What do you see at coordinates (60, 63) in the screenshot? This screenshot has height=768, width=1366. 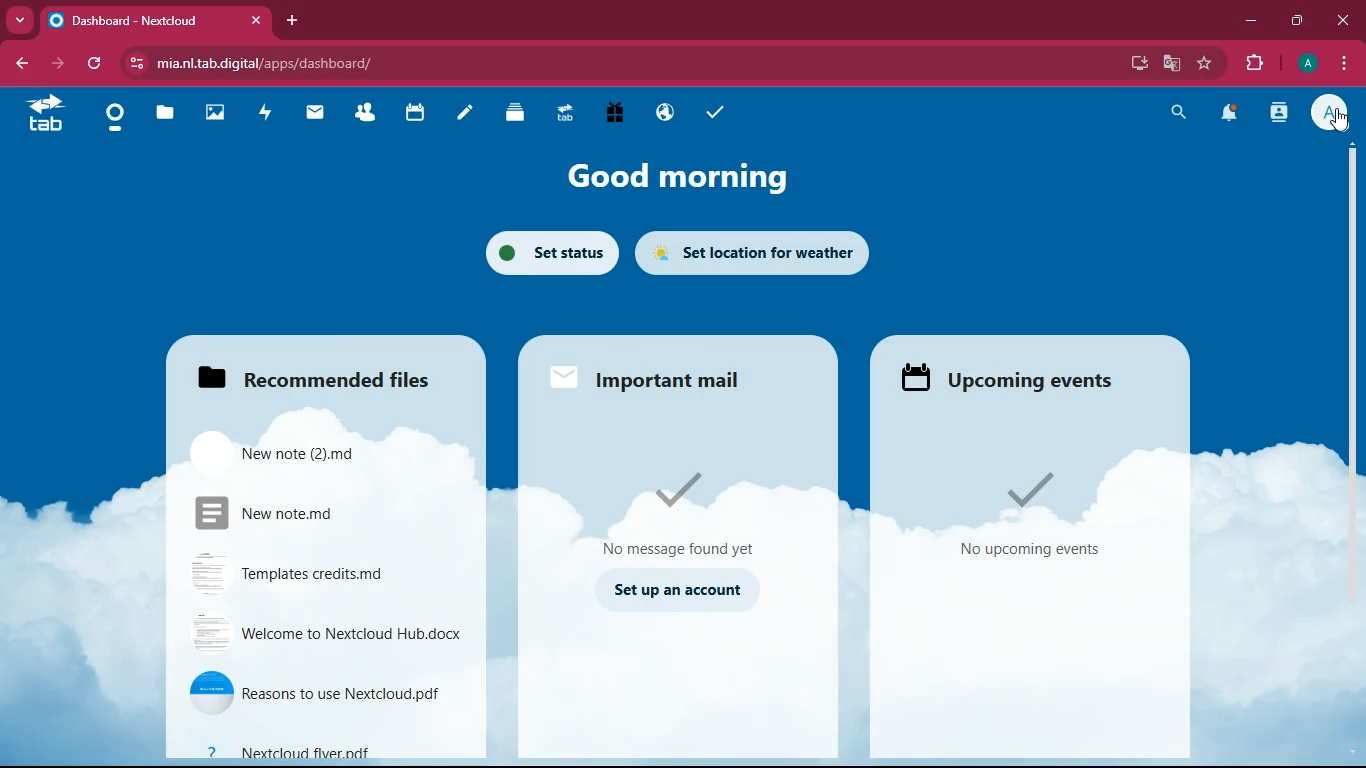 I see `forward` at bounding box center [60, 63].